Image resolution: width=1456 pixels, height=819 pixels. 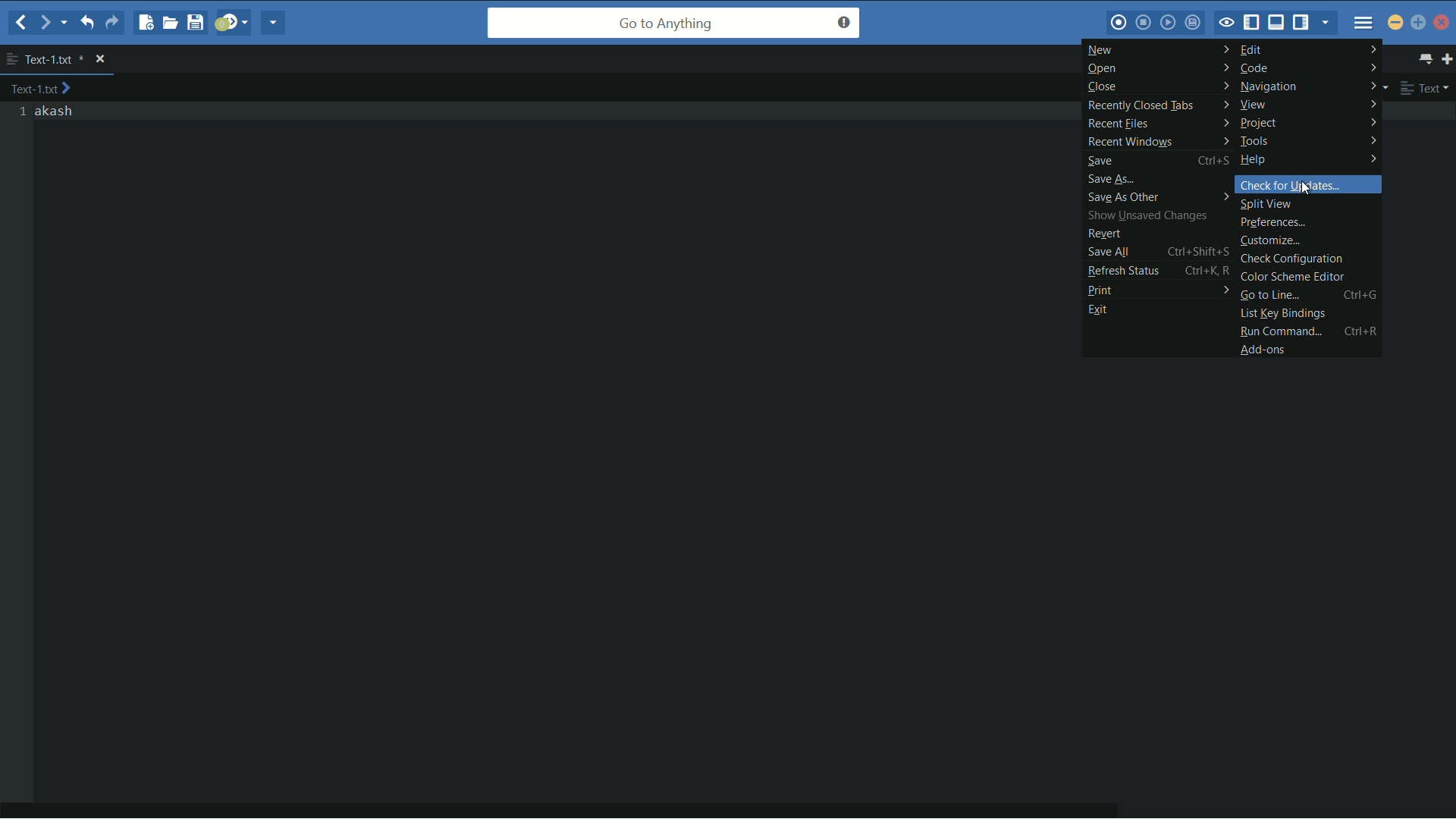 What do you see at coordinates (1363, 24) in the screenshot?
I see `menu` at bounding box center [1363, 24].